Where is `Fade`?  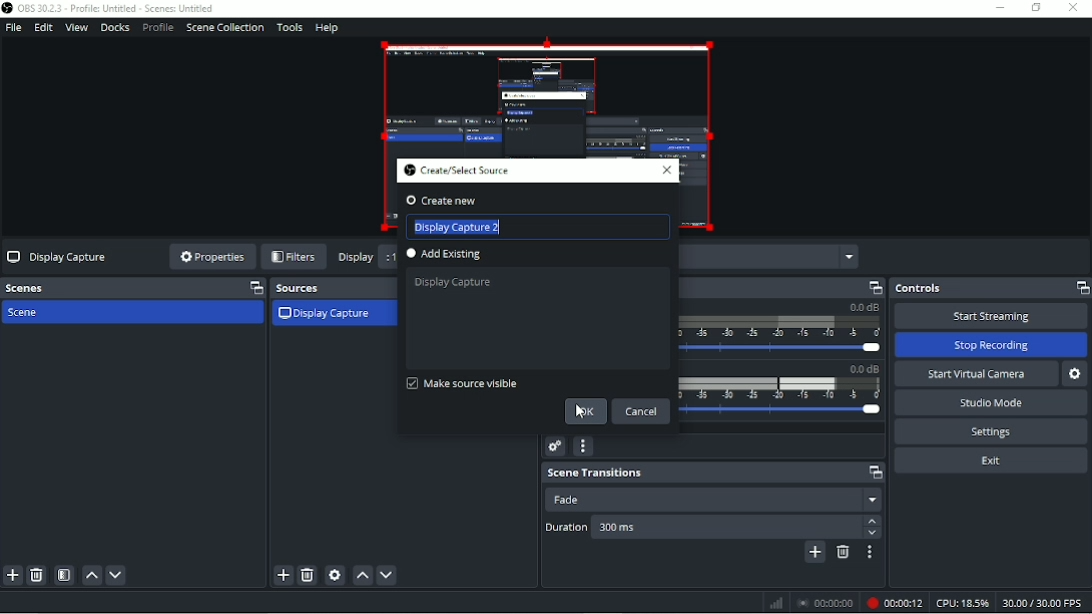
Fade is located at coordinates (712, 499).